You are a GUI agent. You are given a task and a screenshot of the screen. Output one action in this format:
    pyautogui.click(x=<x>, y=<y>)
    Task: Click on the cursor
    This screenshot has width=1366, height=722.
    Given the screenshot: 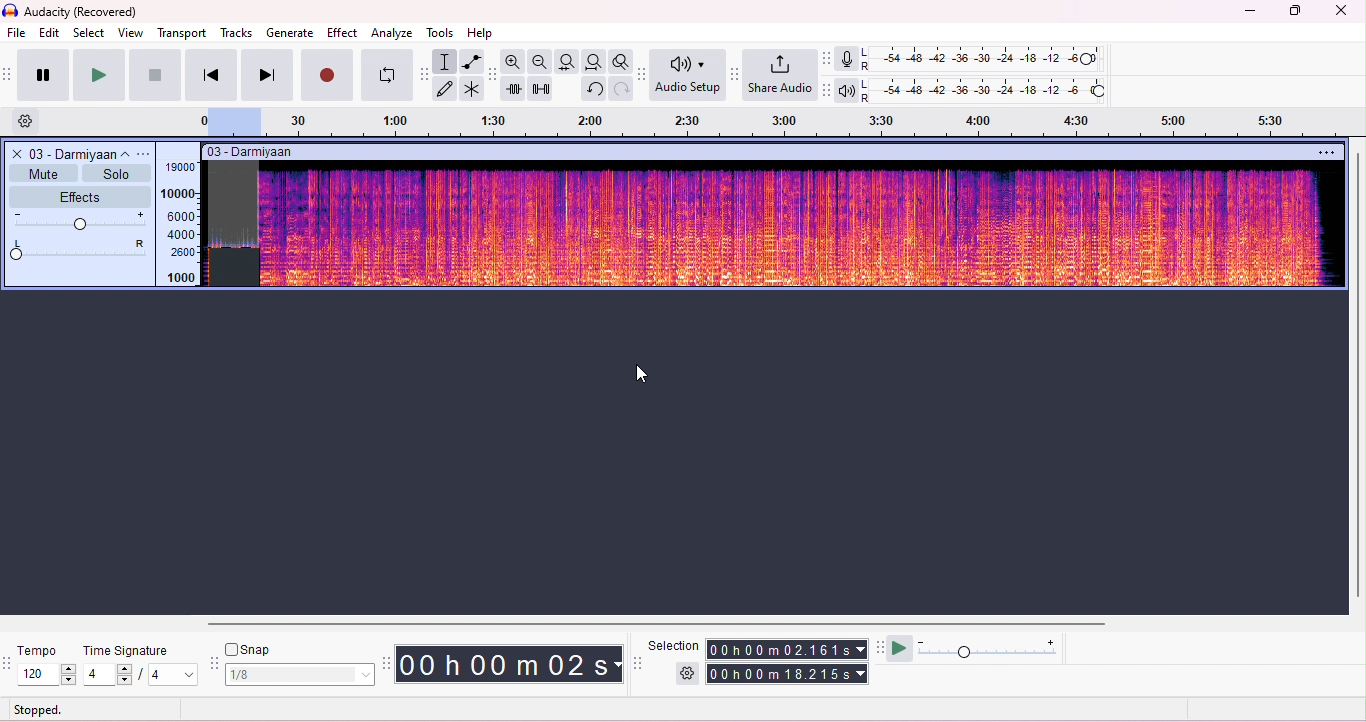 What is the action you would take?
    pyautogui.click(x=645, y=372)
    